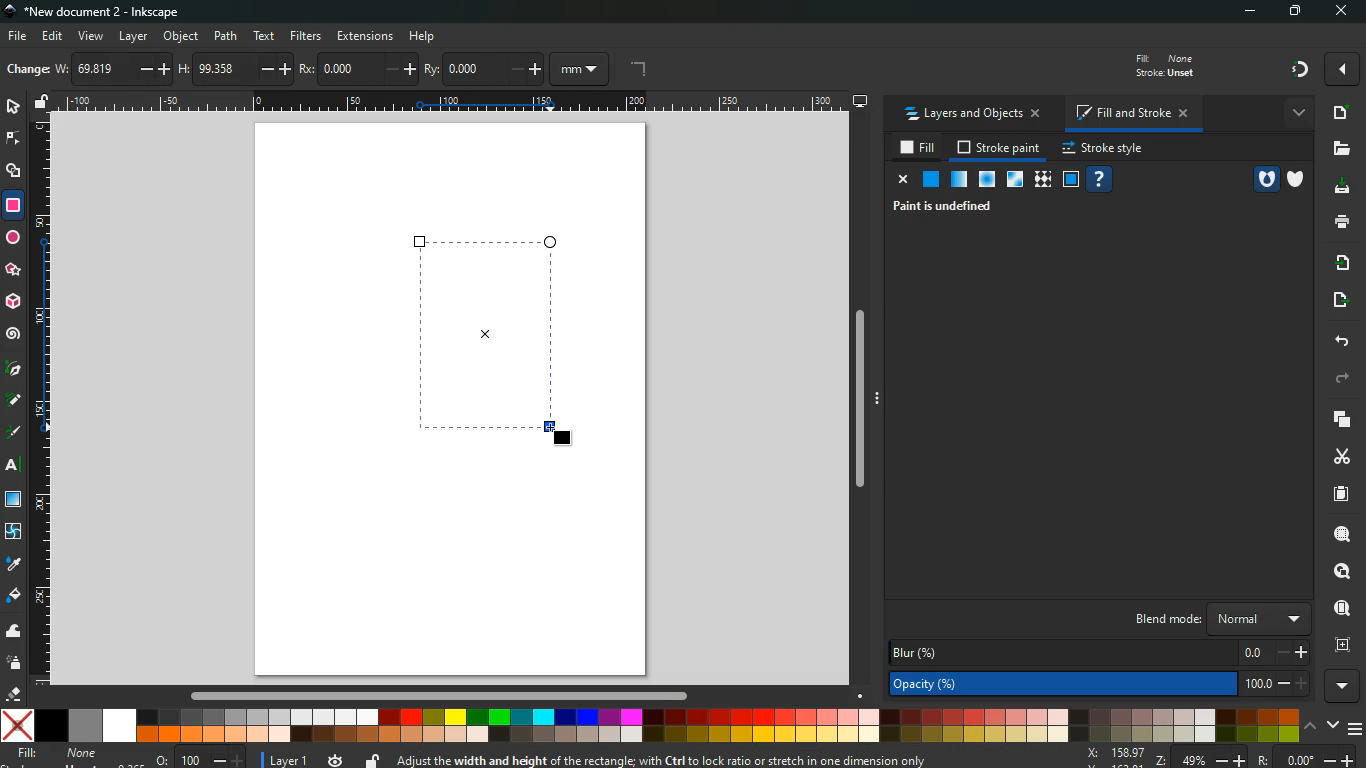  What do you see at coordinates (1337, 112) in the screenshot?
I see `new` at bounding box center [1337, 112].